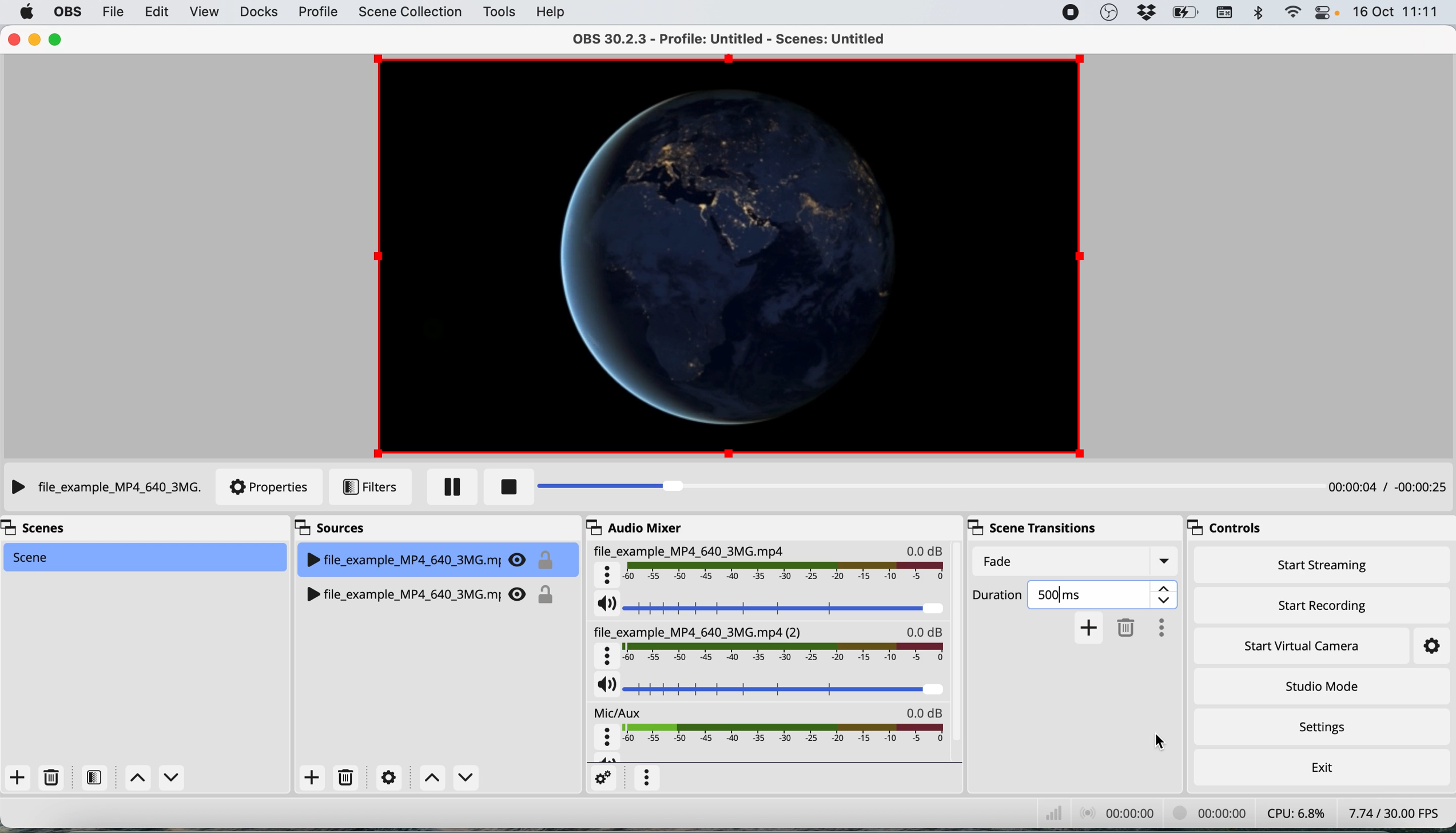  Describe the element at coordinates (1292, 814) in the screenshot. I see `cpu usage` at that location.